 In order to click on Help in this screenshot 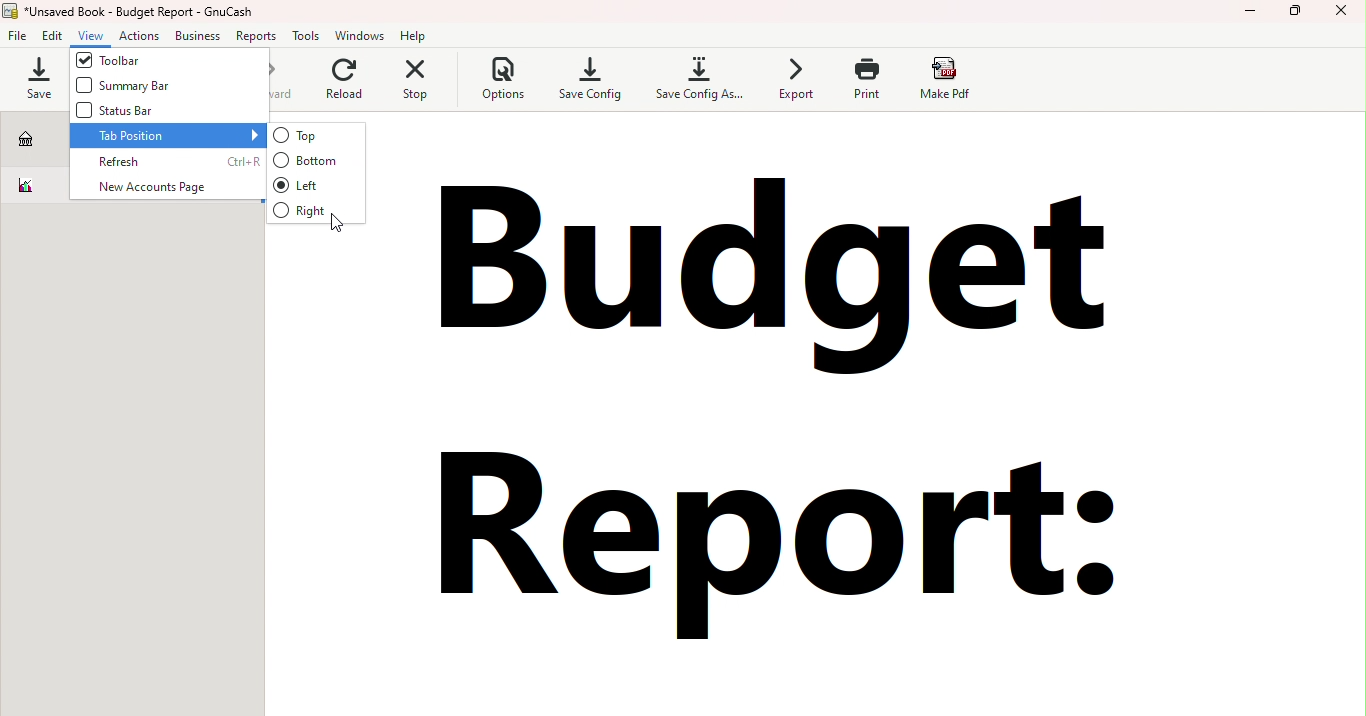, I will do `click(416, 35)`.